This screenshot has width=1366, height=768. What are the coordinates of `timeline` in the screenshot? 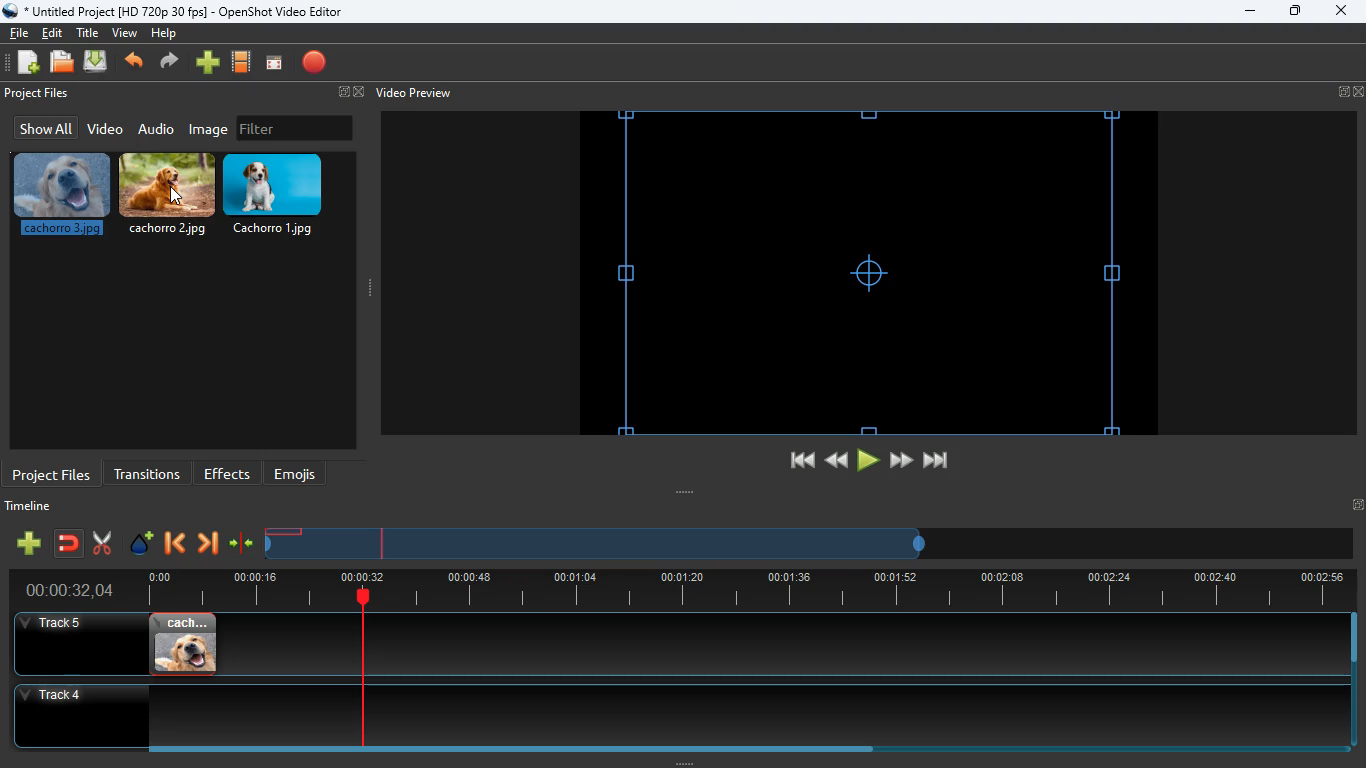 It's located at (33, 509).